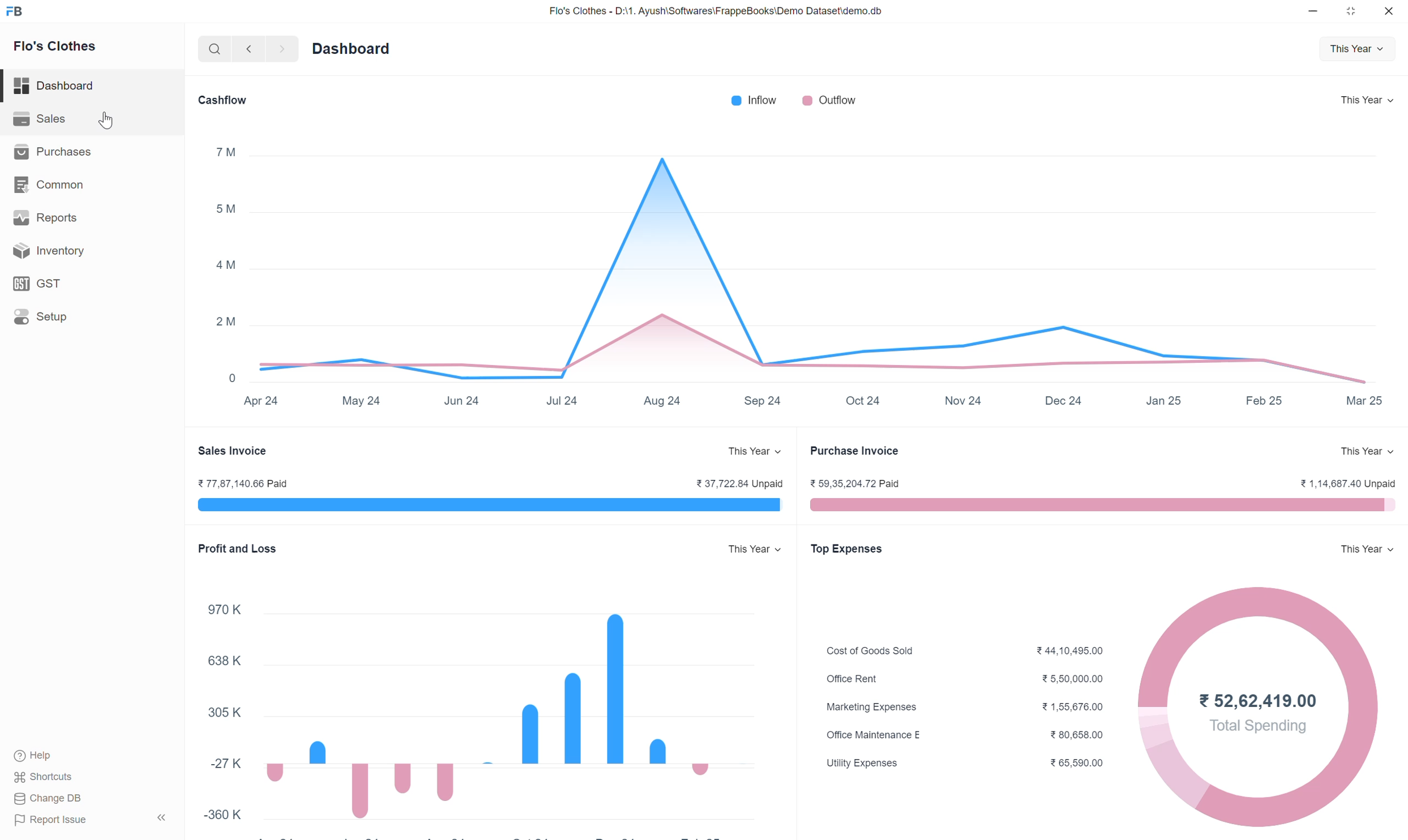 This screenshot has width=1408, height=840. What do you see at coordinates (748, 452) in the screenshot?
I see `select sales invoice timeframe ` at bounding box center [748, 452].